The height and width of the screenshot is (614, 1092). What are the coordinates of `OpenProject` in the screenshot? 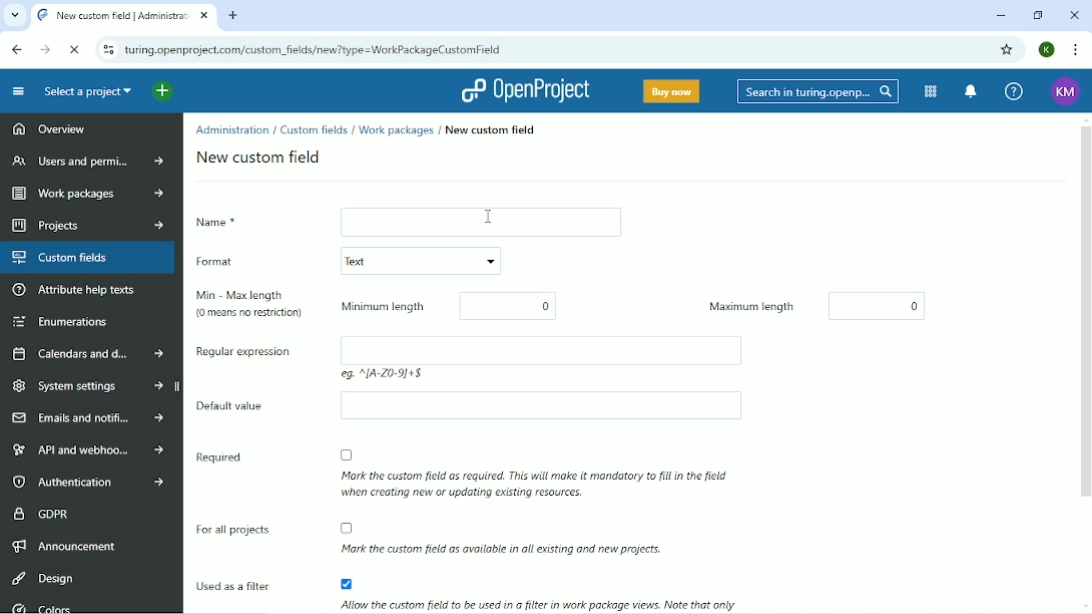 It's located at (530, 91).